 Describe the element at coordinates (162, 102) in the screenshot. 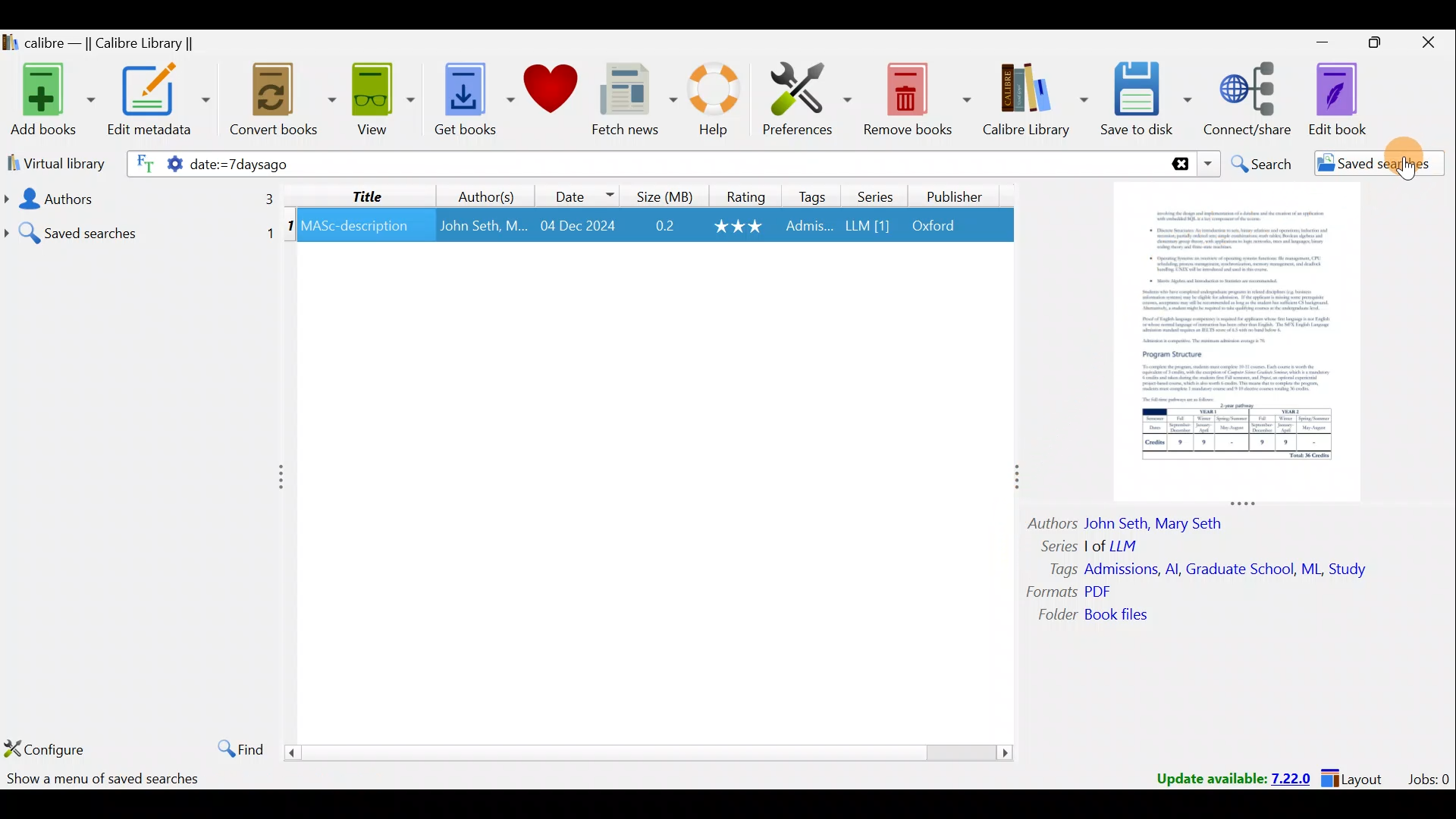

I see `Edit metadata` at that location.